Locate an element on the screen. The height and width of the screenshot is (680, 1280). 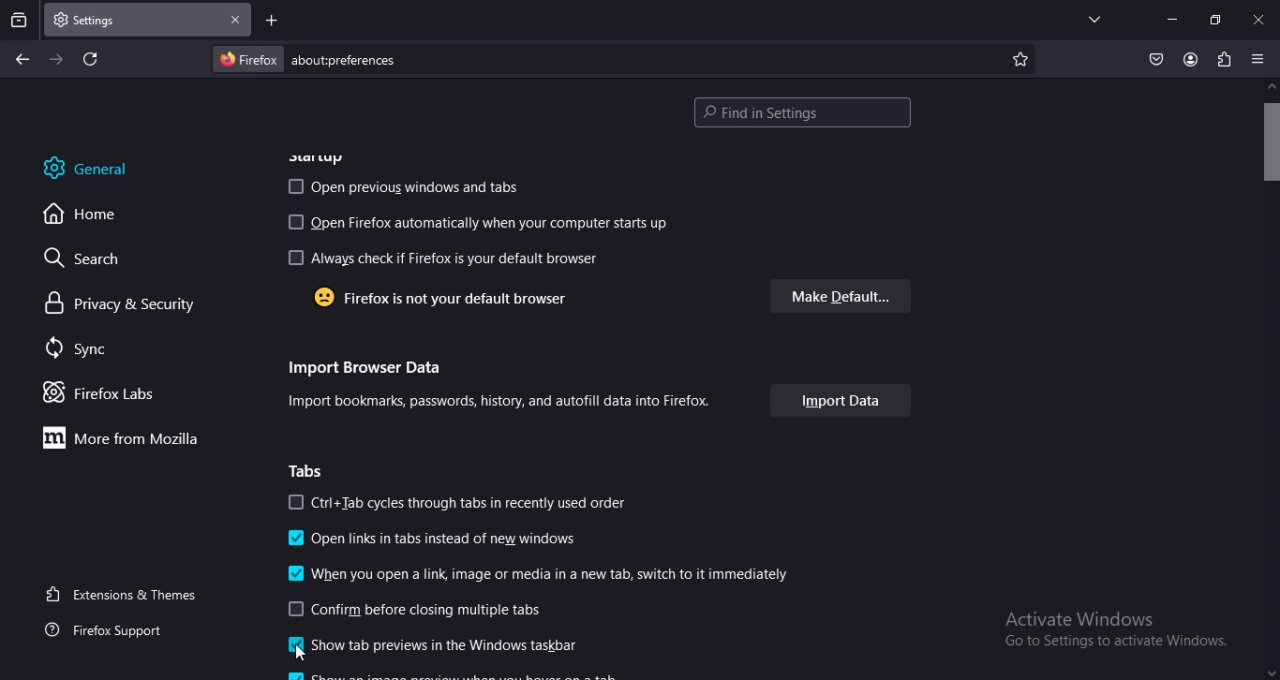
always check if firefox is default browser is located at coordinates (445, 258).